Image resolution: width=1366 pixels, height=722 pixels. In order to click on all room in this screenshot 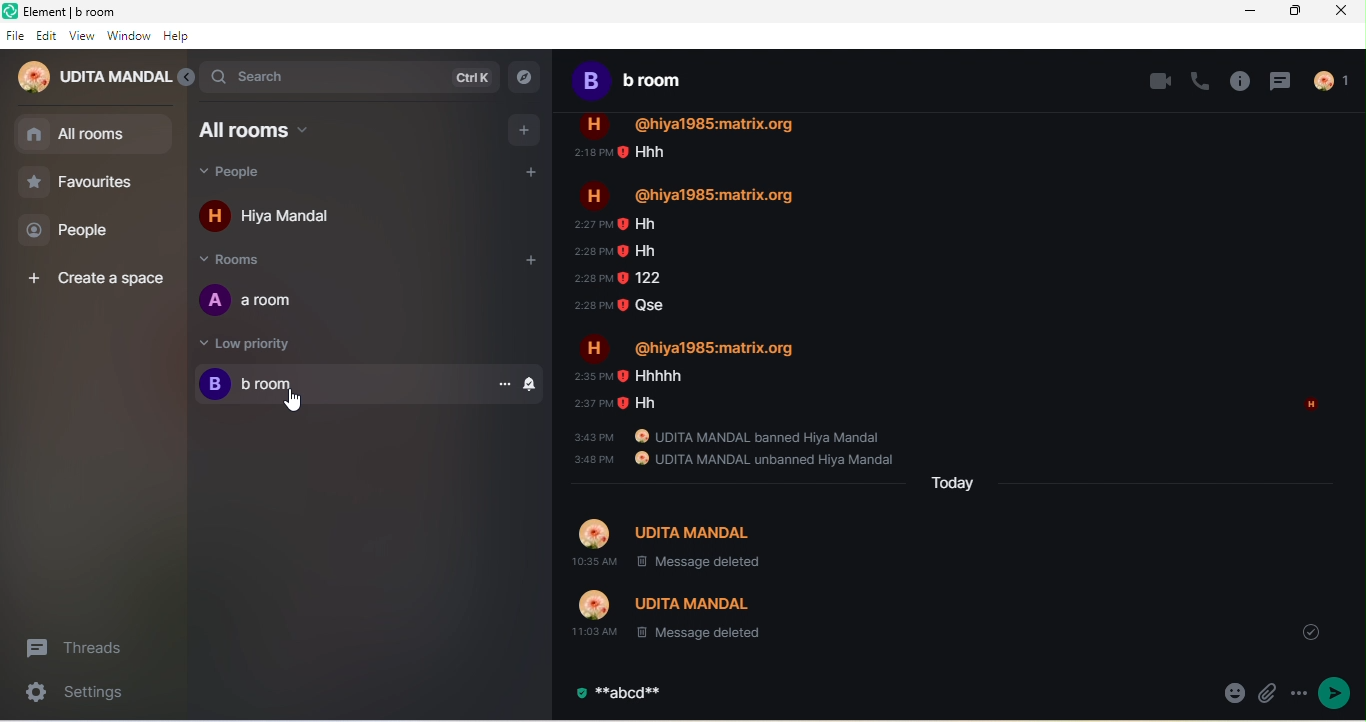, I will do `click(94, 135)`.